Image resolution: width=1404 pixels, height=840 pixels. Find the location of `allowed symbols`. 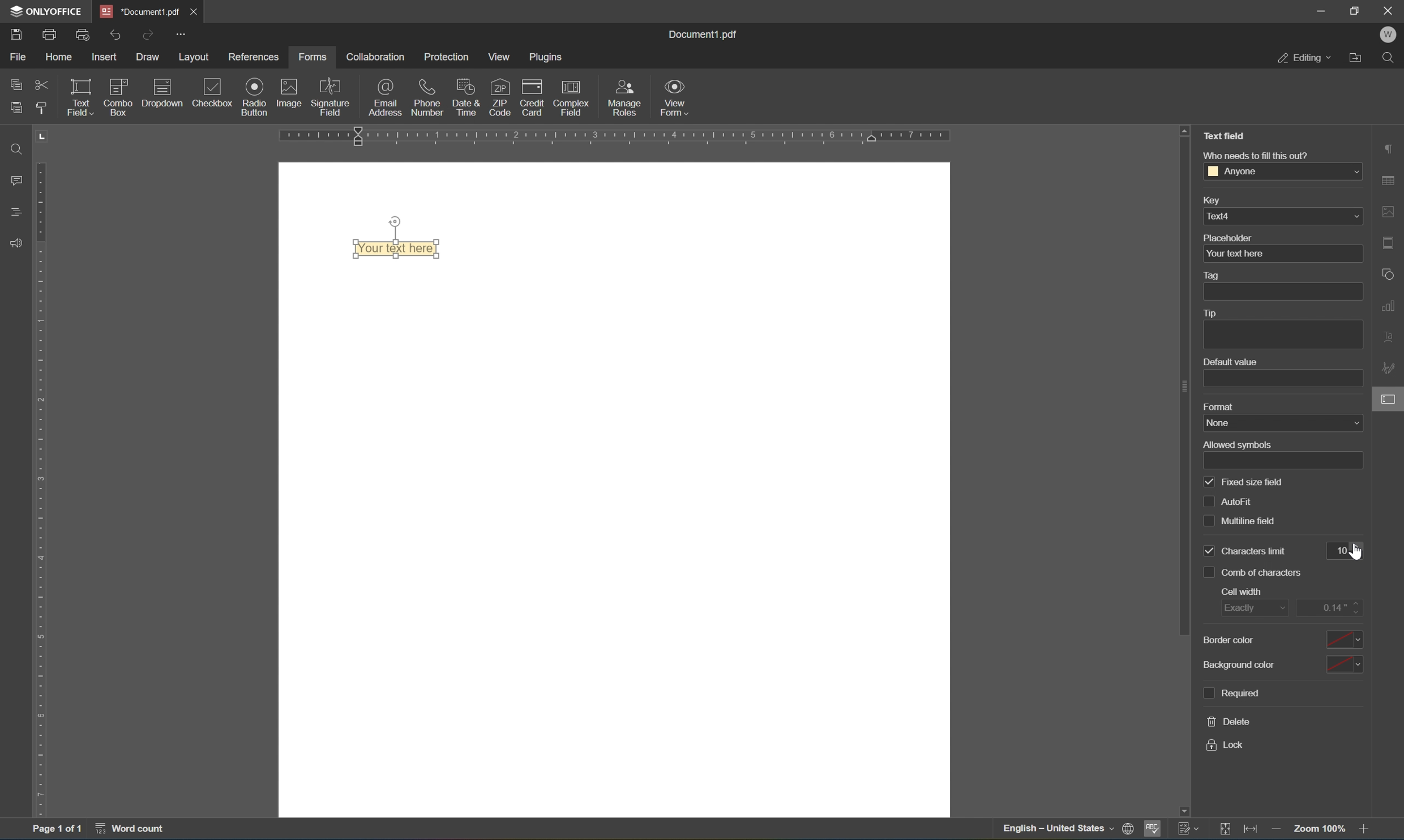

allowed symbols is located at coordinates (1237, 445).